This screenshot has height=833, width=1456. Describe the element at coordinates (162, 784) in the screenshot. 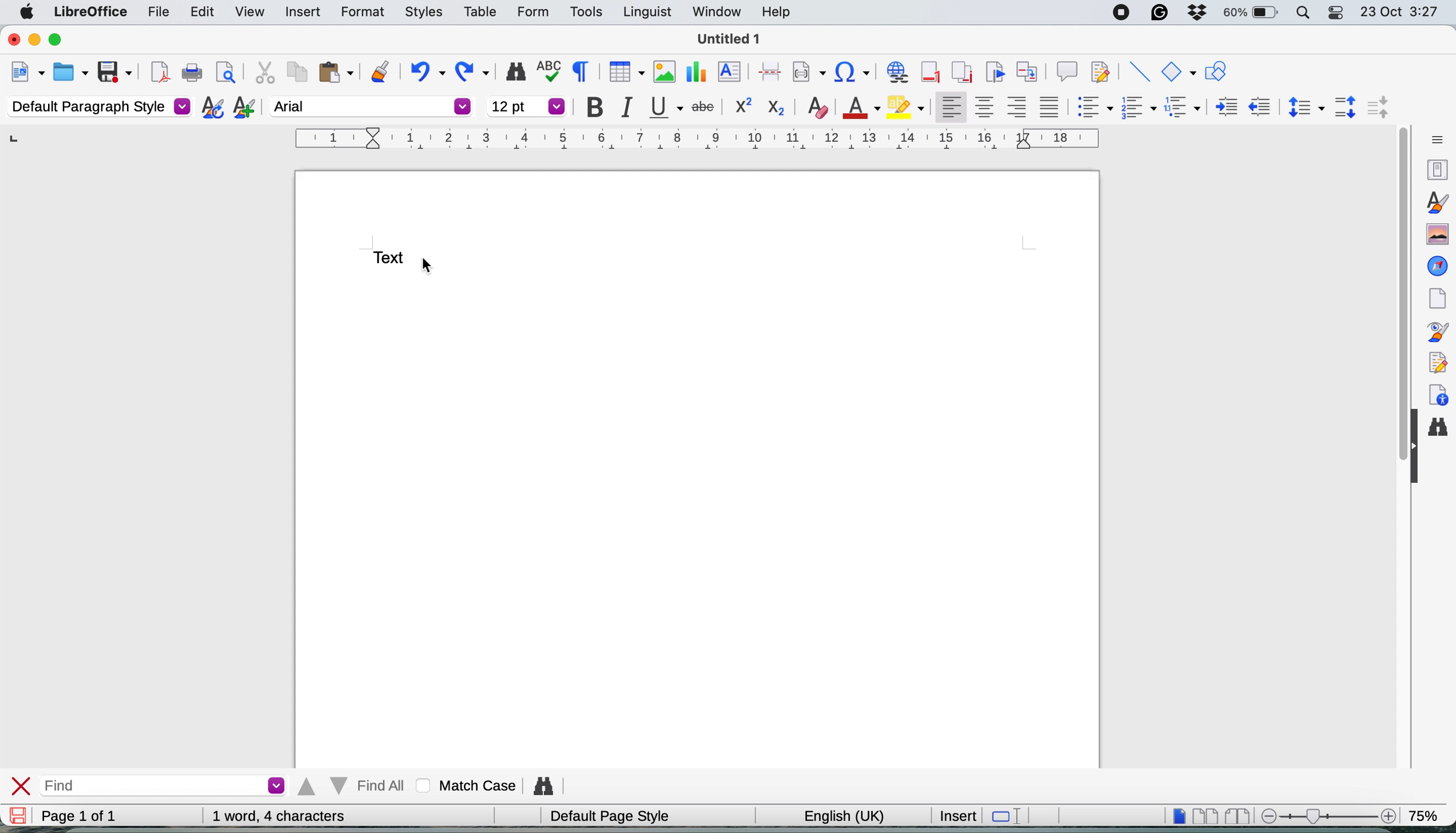

I see `find` at that location.